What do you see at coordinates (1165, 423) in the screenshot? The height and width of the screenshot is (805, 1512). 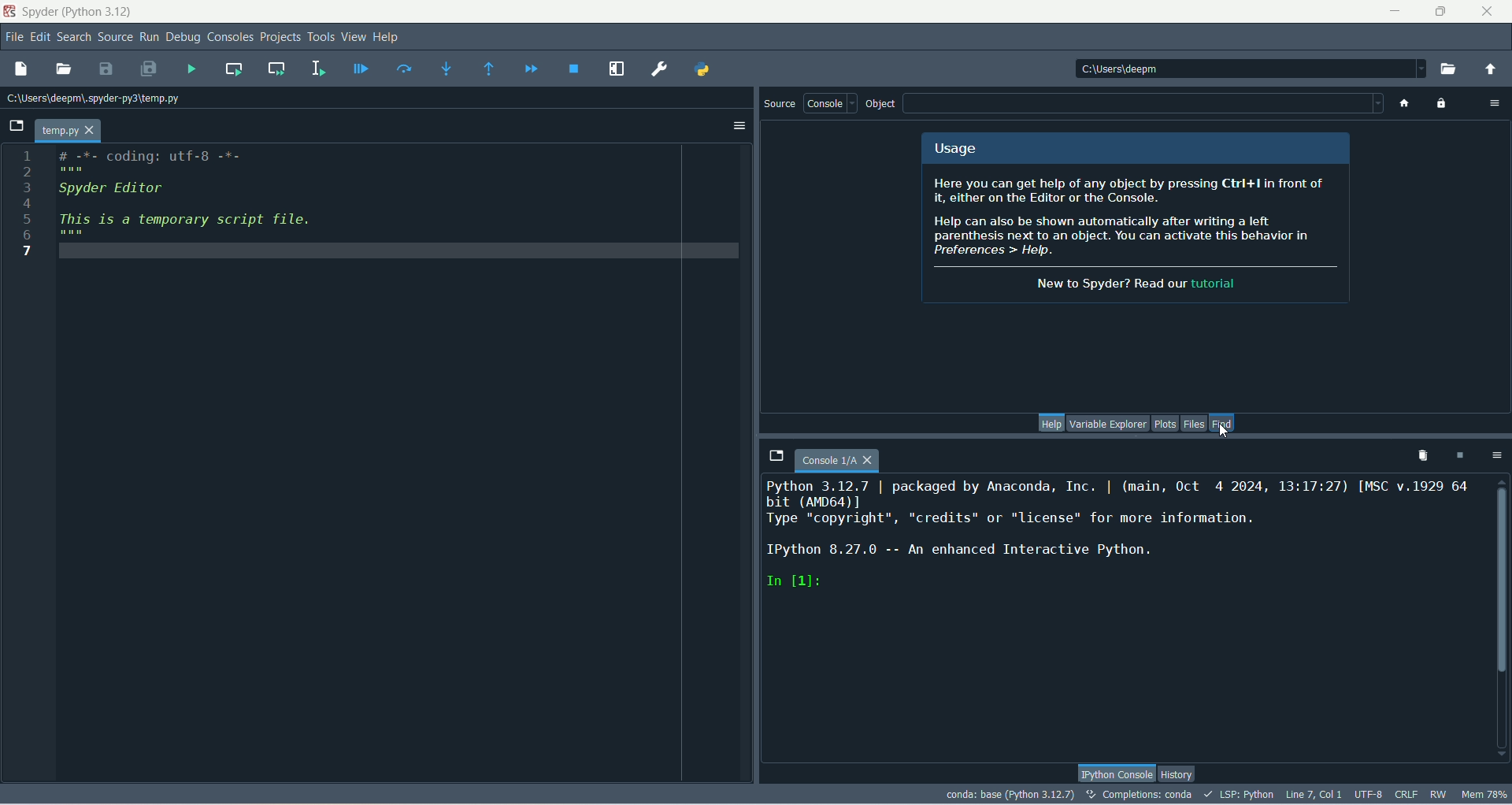 I see `plots` at bounding box center [1165, 423].